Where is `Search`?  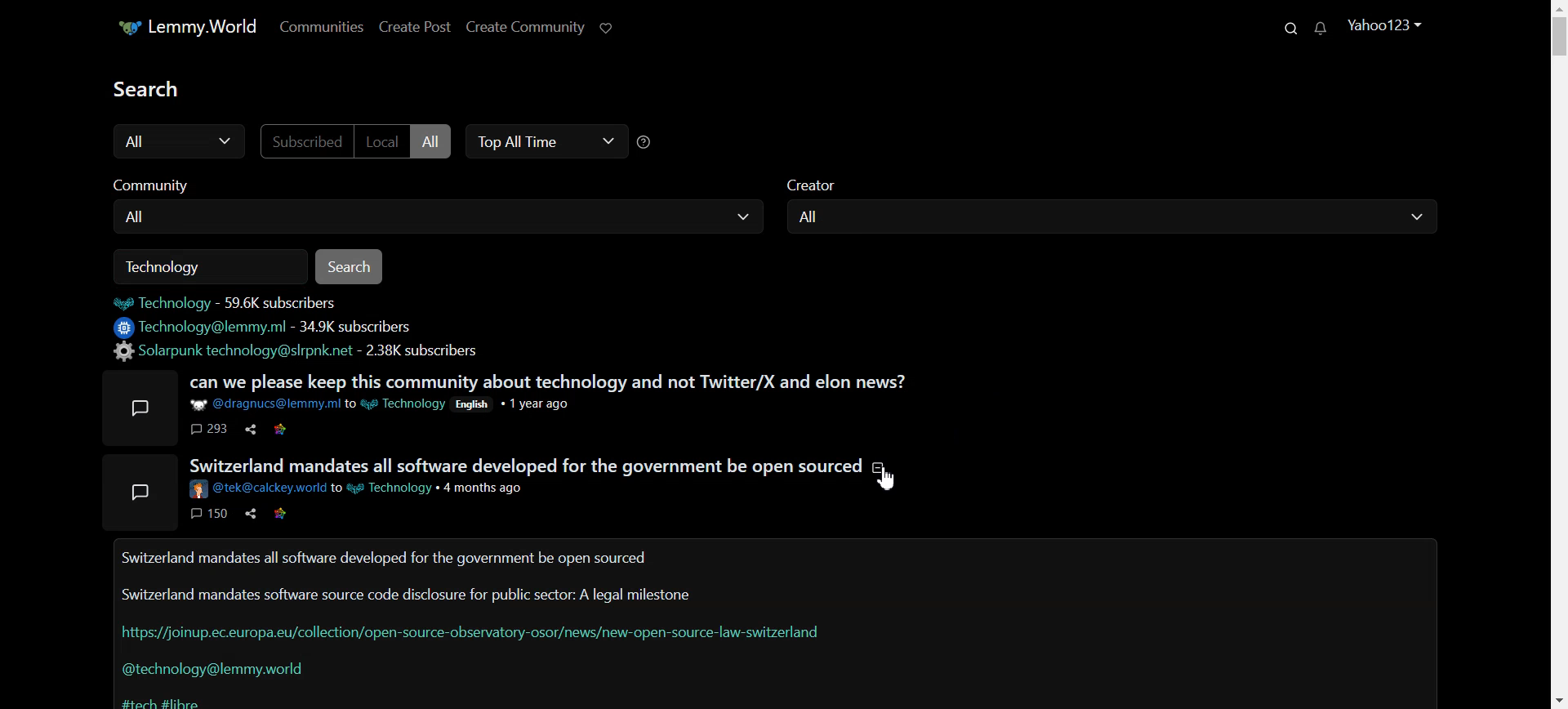
Search is located at coordinates (1295, 27).